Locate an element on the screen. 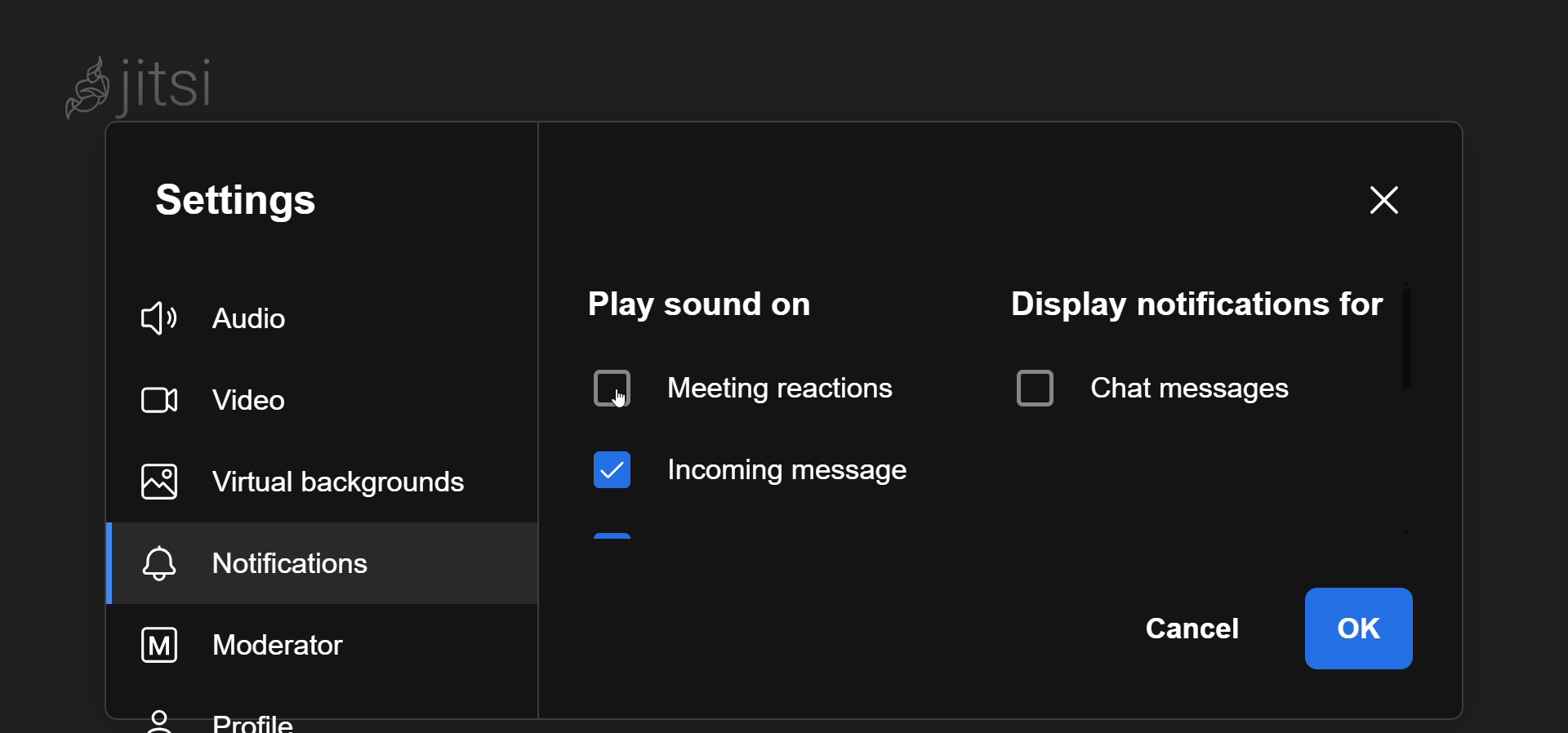  notification is located at coordinates (285, 562).